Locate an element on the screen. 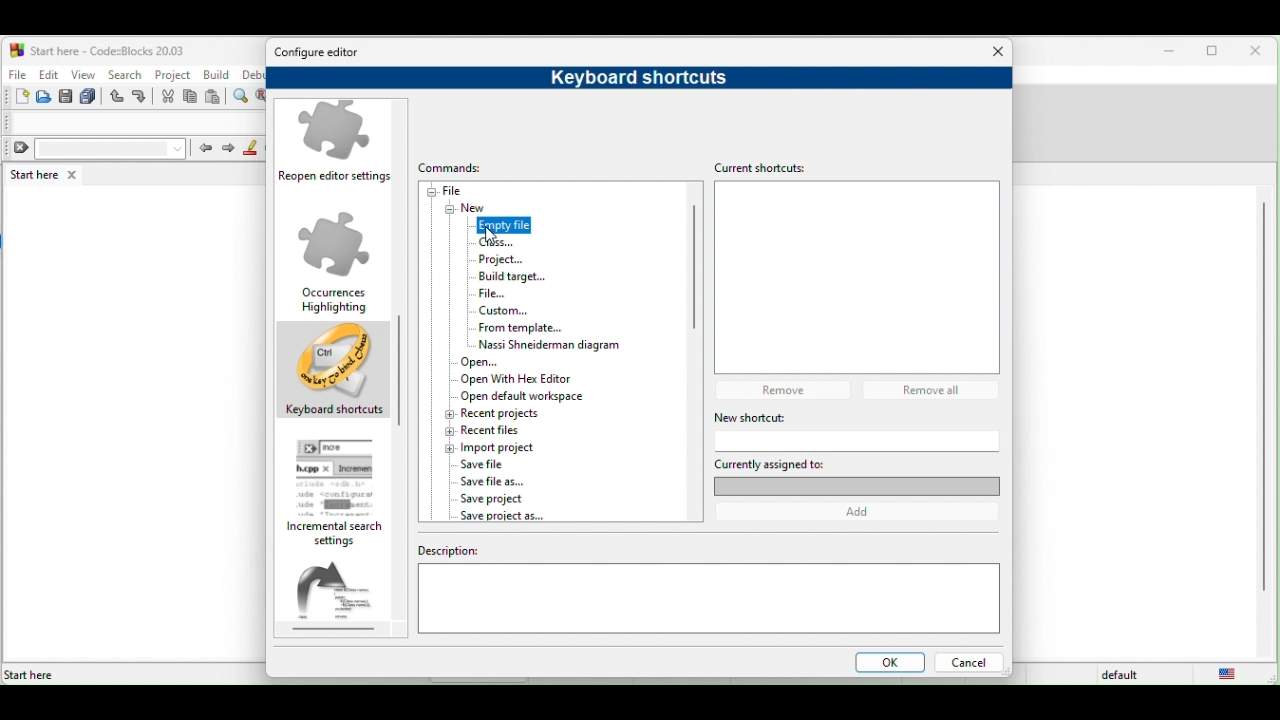 The width and height of the screenshot is (1280, 720). incremental search setting is located at coordinates (341, 493).